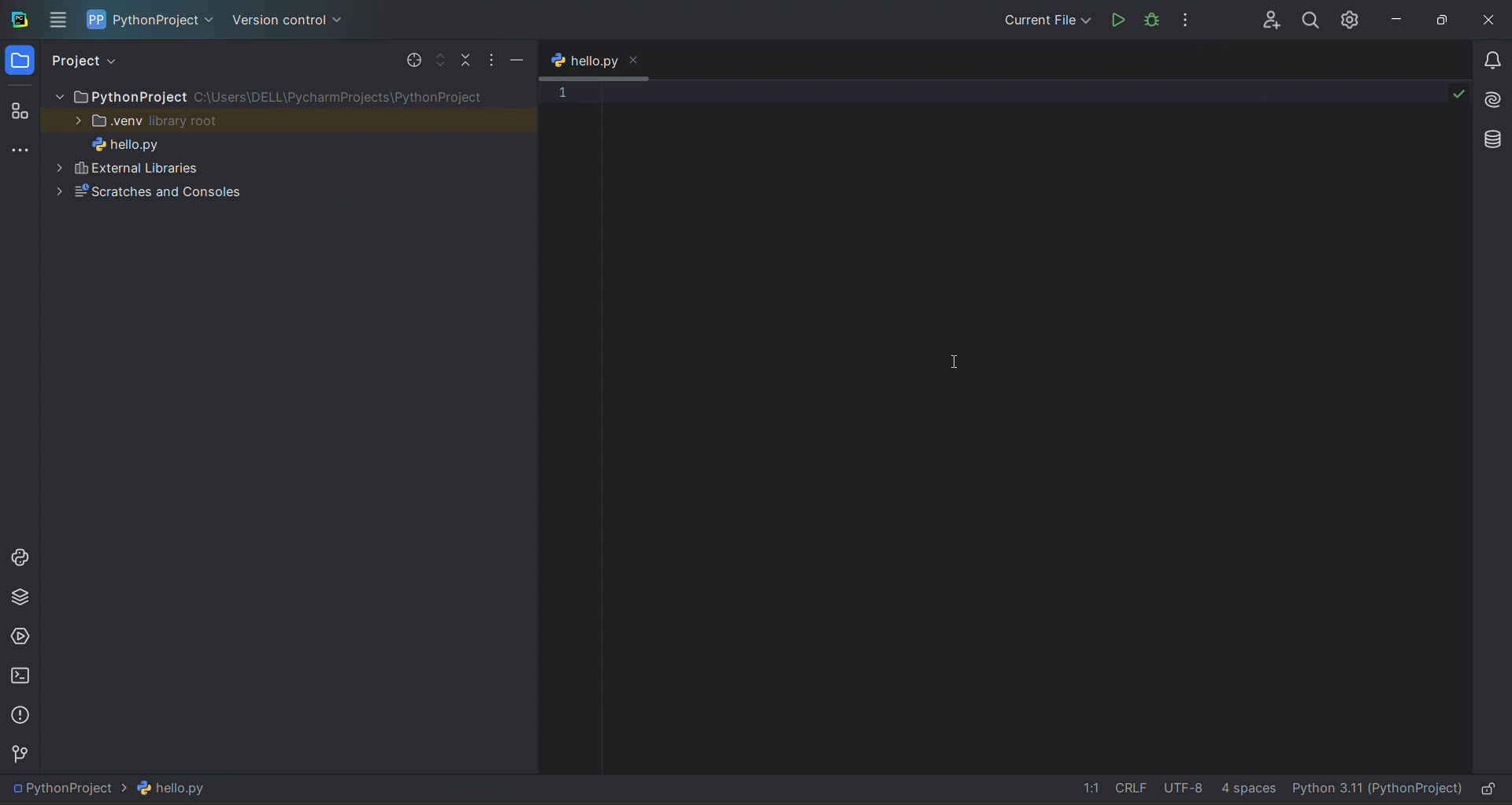  I want to click on search, so click(1307, 20).